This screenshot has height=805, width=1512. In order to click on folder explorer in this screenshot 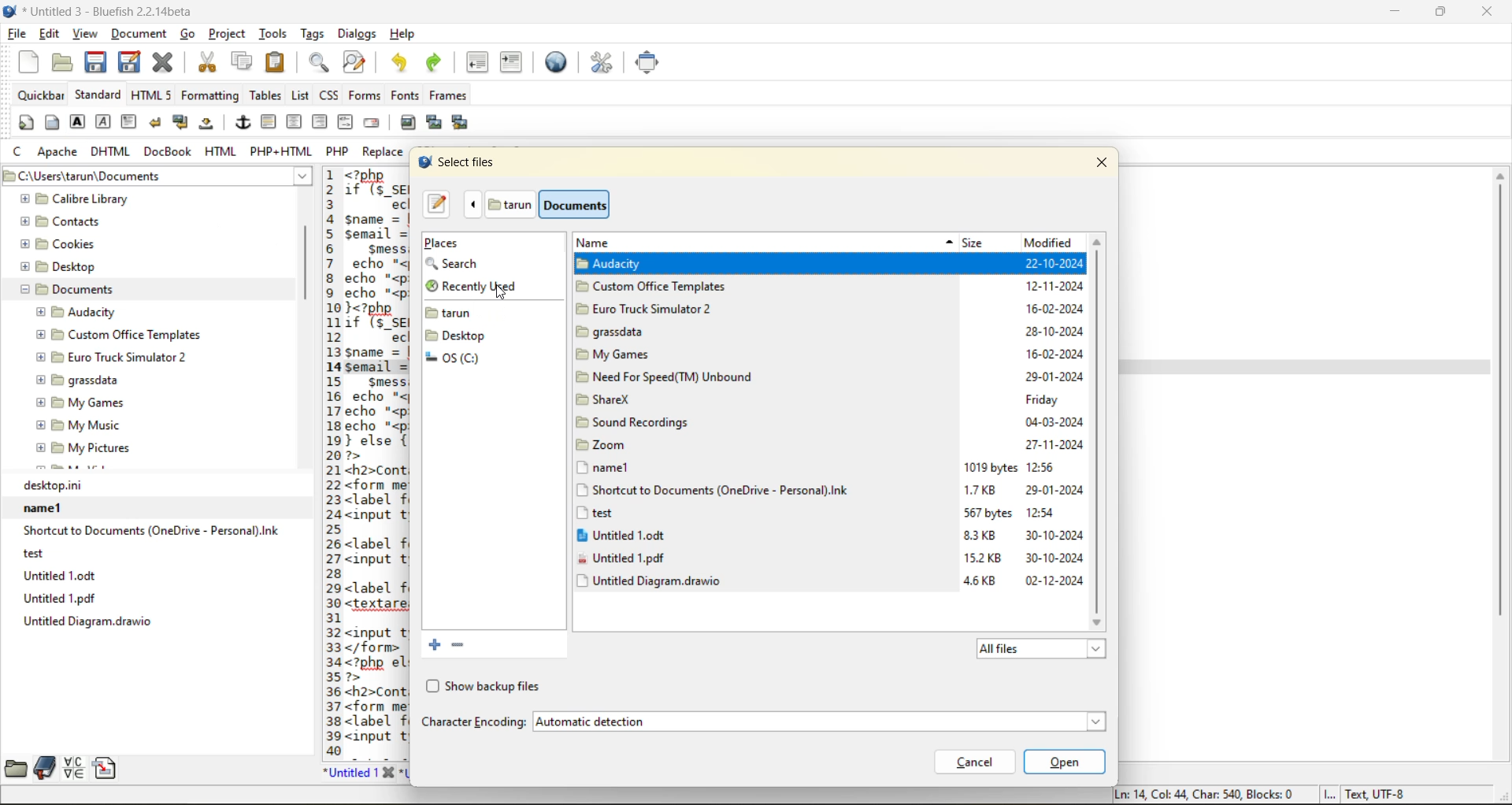, I will do `click(140, 332)`.